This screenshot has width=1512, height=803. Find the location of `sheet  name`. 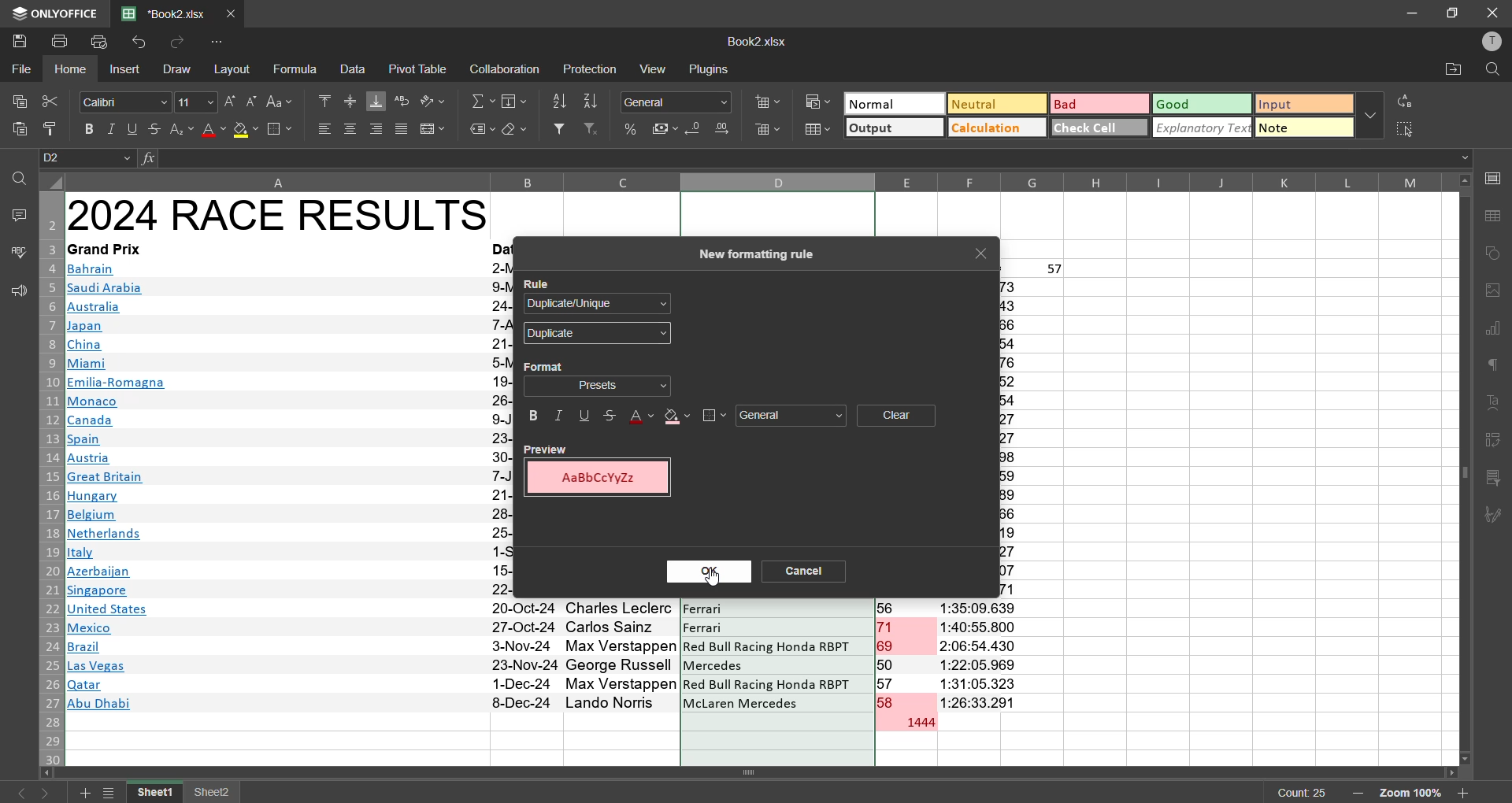

sheet  name is located at coordinates (157, 793).